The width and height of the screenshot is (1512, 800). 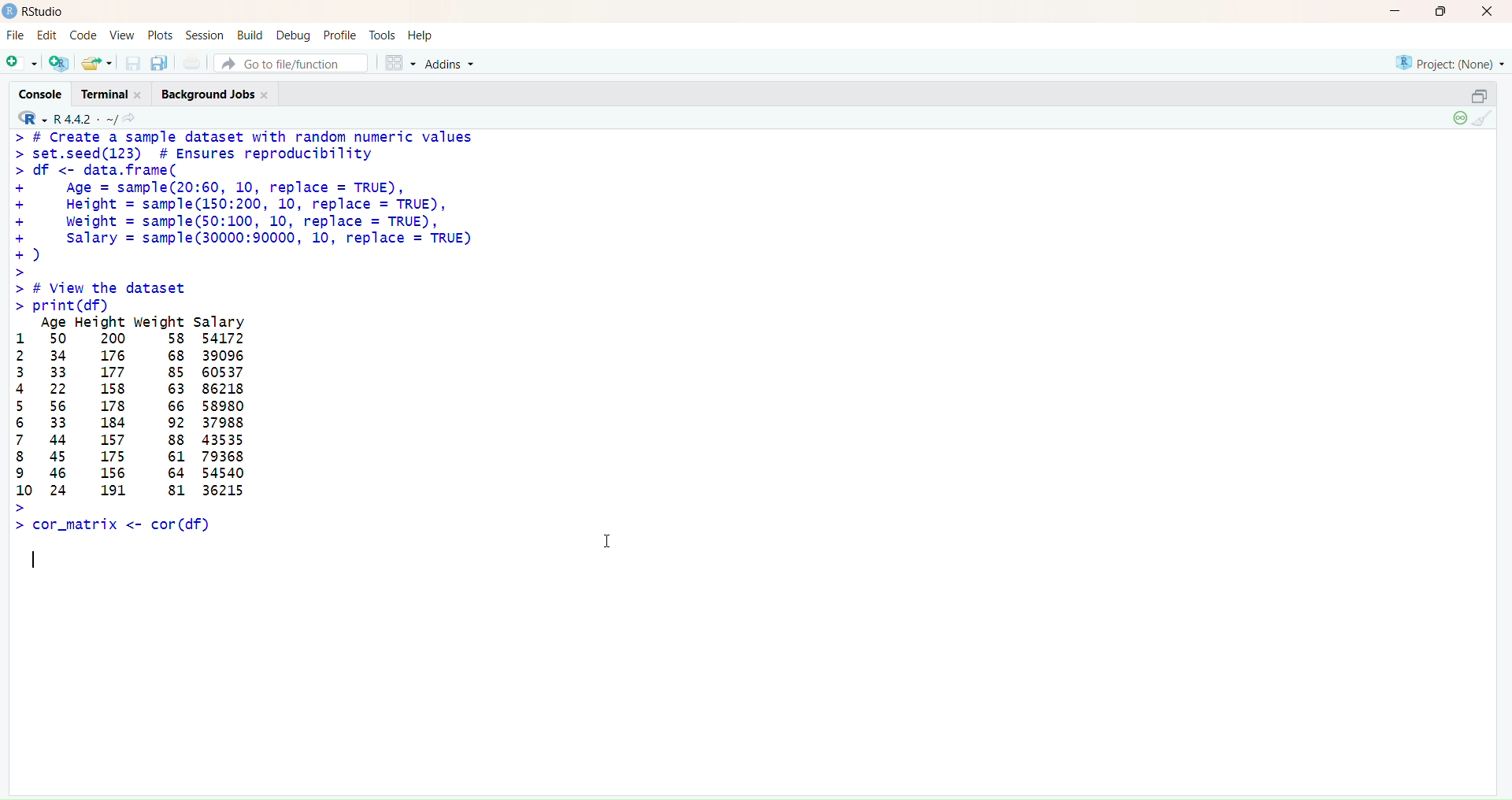 I want to click on Minimize, so click(x=1395, y=12).